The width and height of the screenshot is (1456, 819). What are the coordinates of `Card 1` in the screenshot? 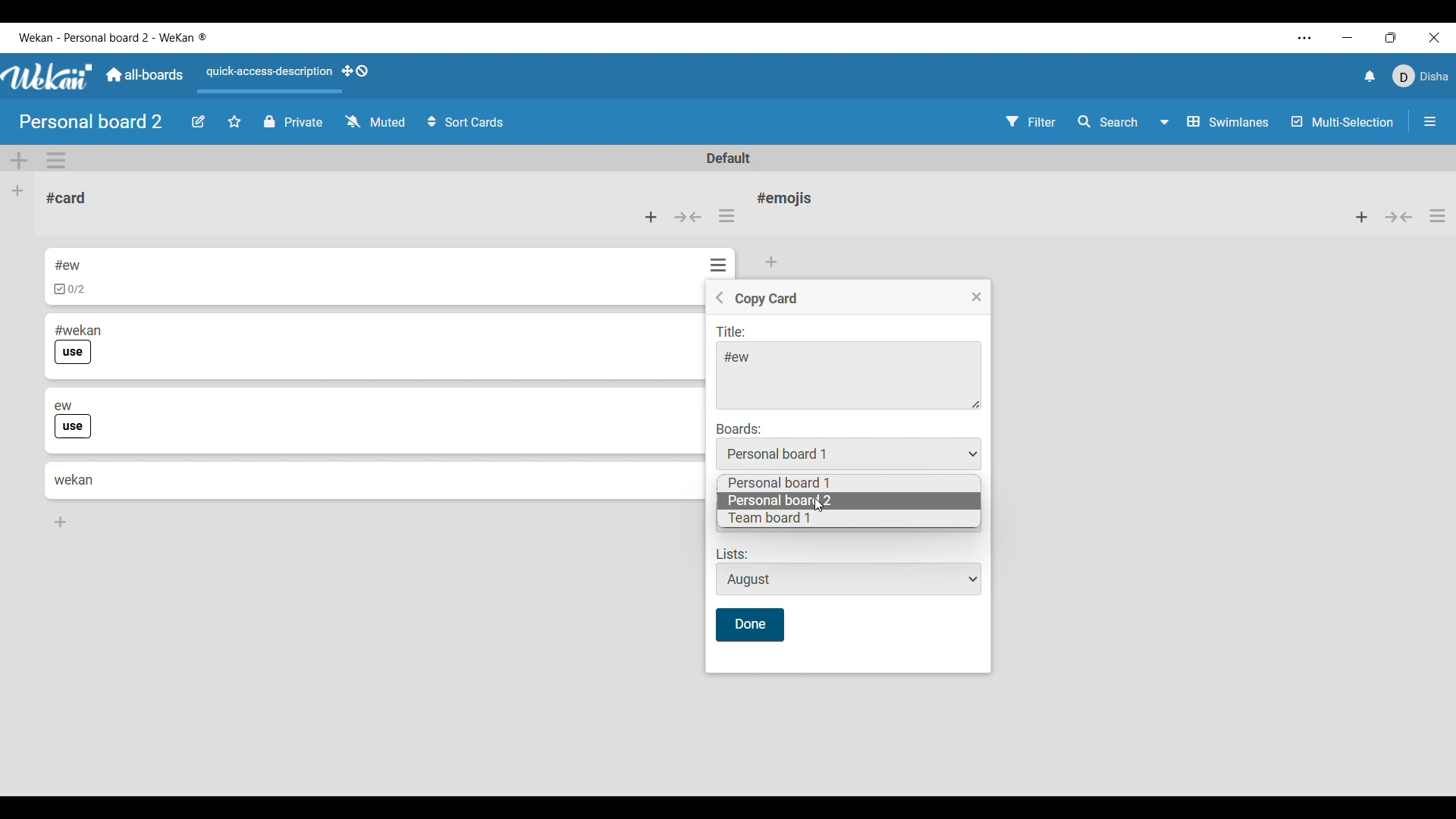 It's located at (118, 263).